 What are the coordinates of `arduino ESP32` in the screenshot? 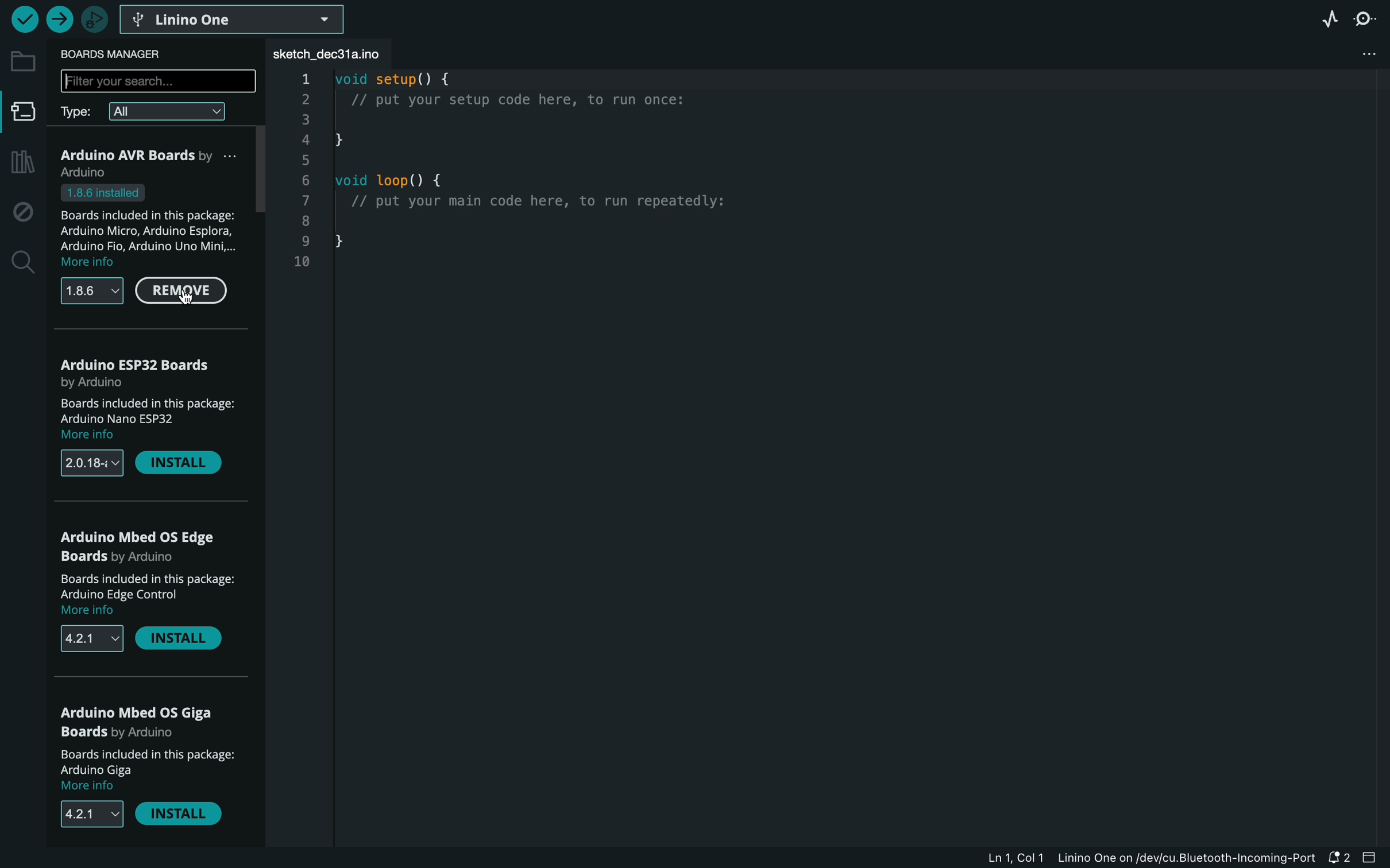 It's located at (137, 371).